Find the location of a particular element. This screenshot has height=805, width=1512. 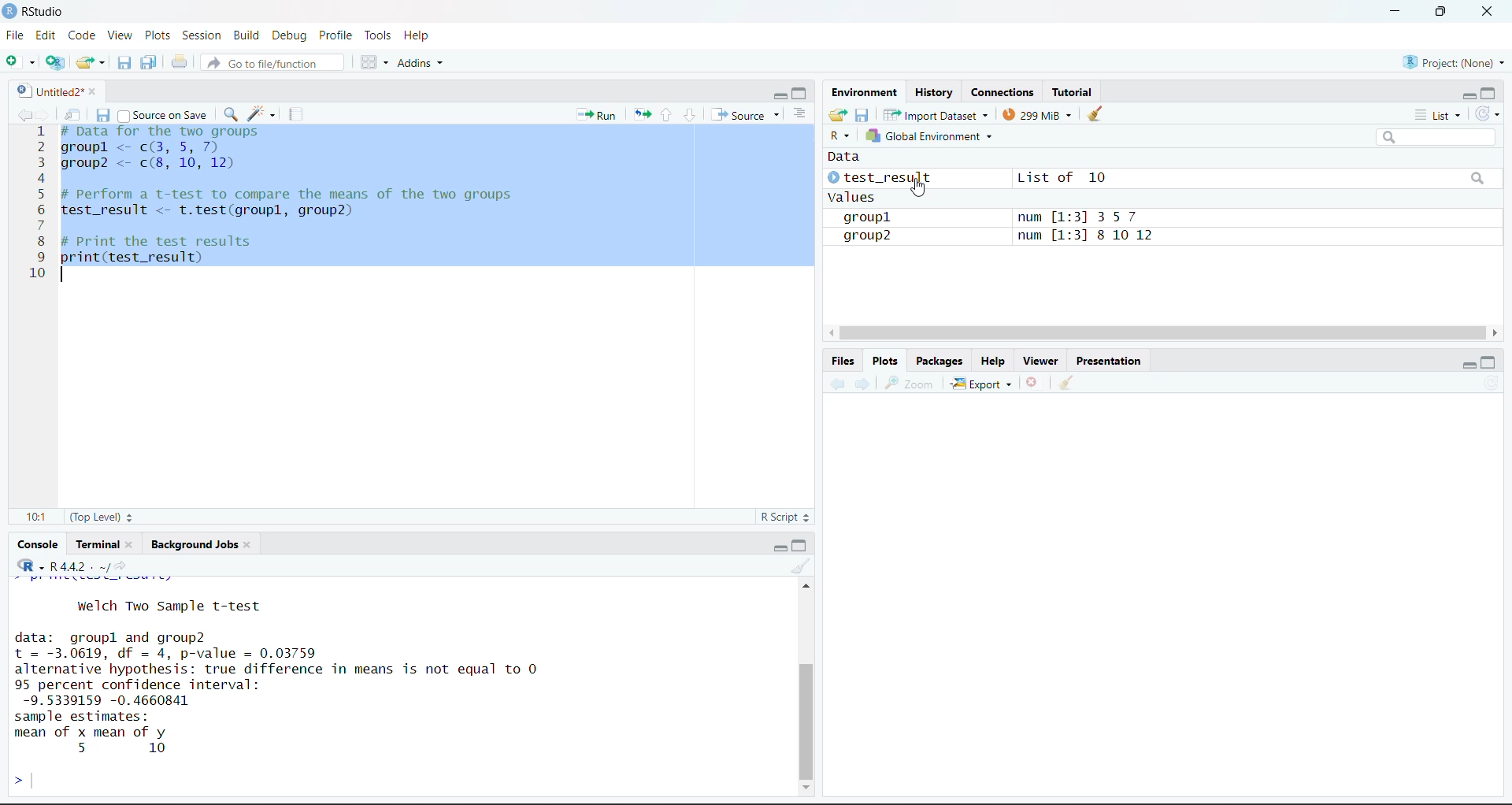

Help is located at coordinates (421, 36).